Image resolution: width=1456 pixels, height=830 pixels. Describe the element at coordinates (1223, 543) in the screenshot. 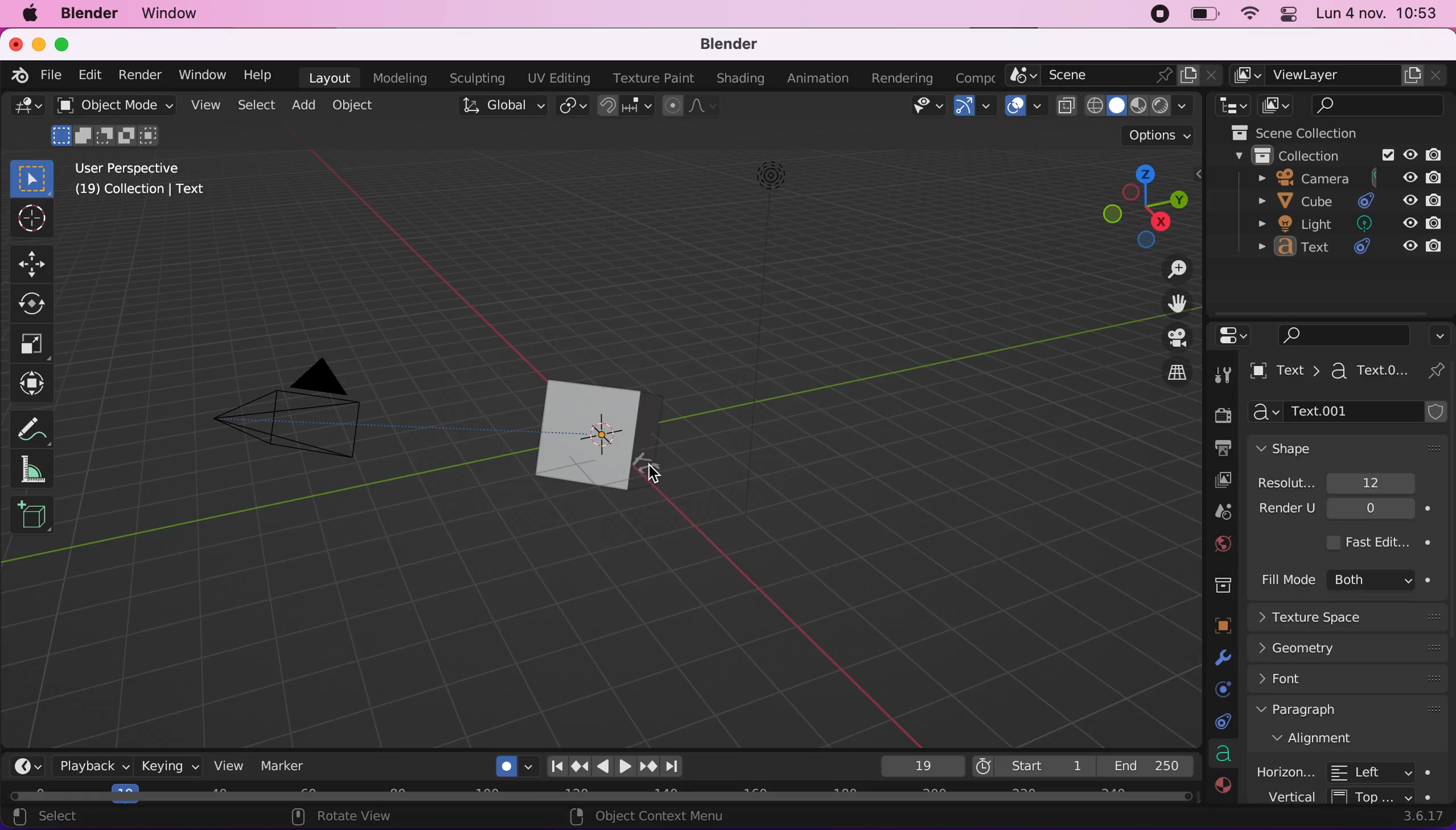

I see `world` at that location.